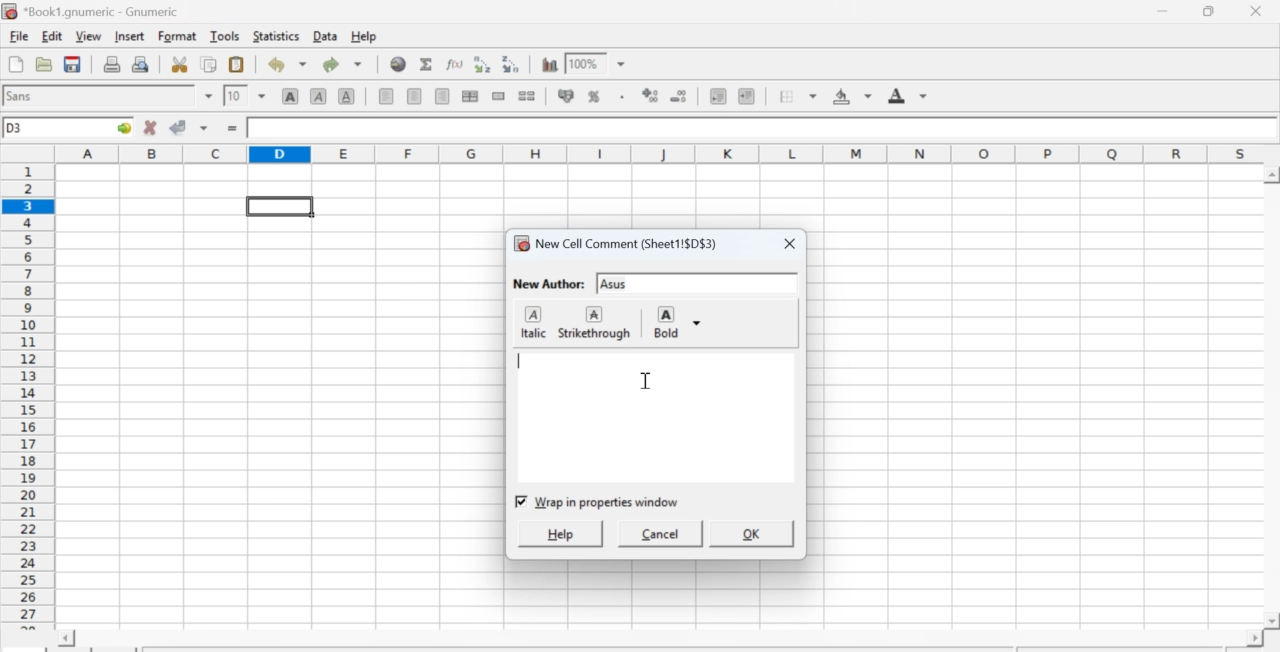 The width and height of the screenshot is (1280, 652). What do you see at coordinates (30, 396) in the screenshot?
I see `numbering column` at bounding box center [30, 396].